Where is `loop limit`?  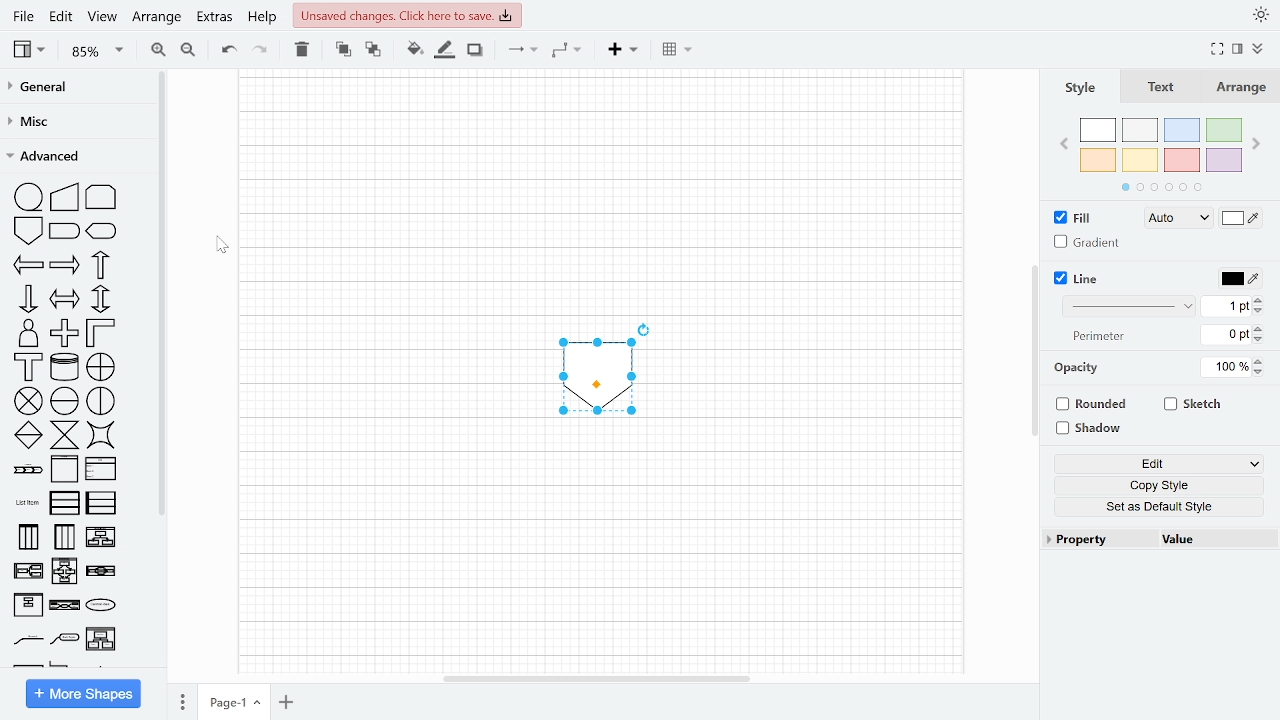
loop limit is located at coordinates (102, 195).